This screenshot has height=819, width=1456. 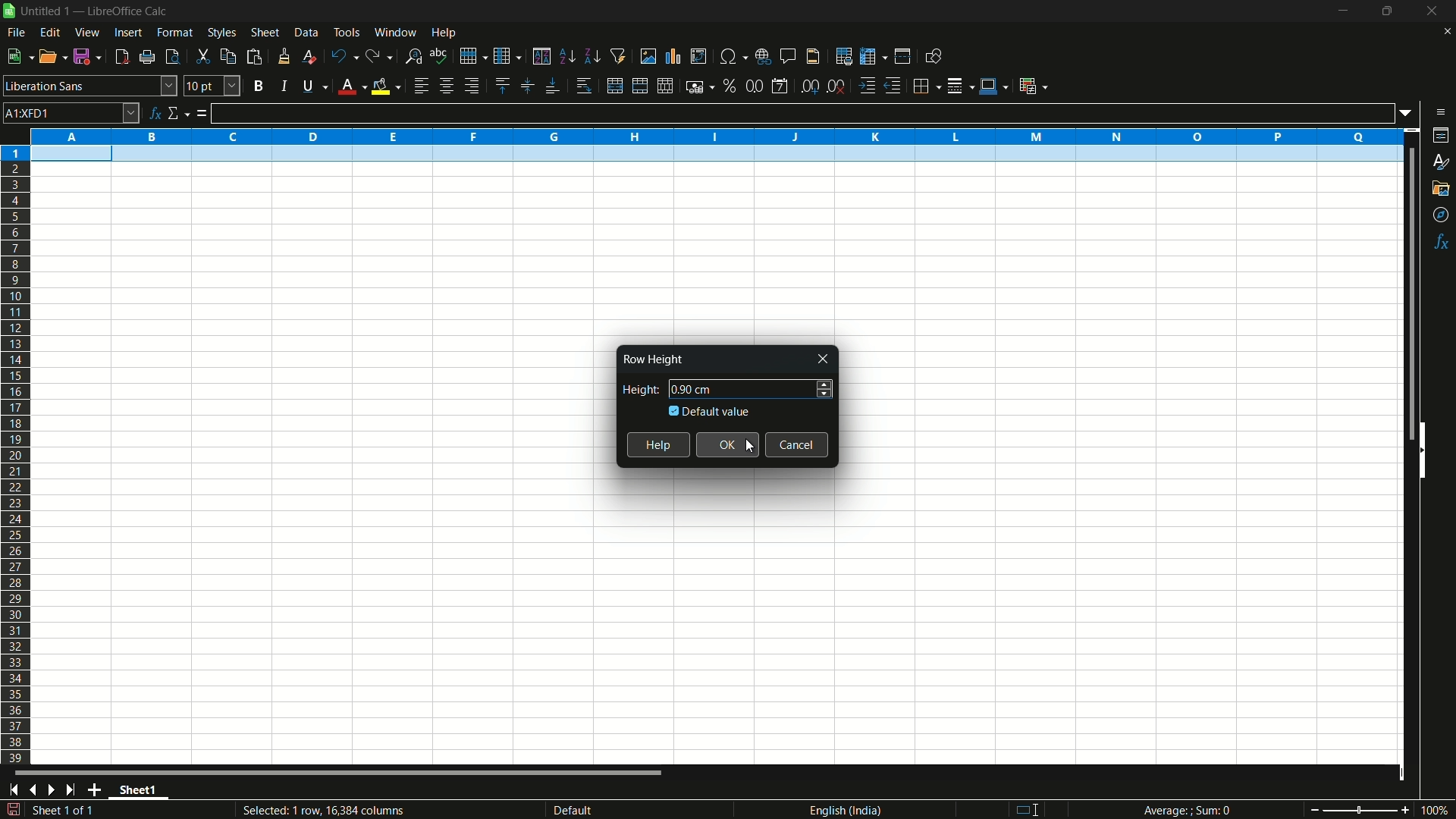 I want to click on unmerge cells, so click(x=666, y=86).